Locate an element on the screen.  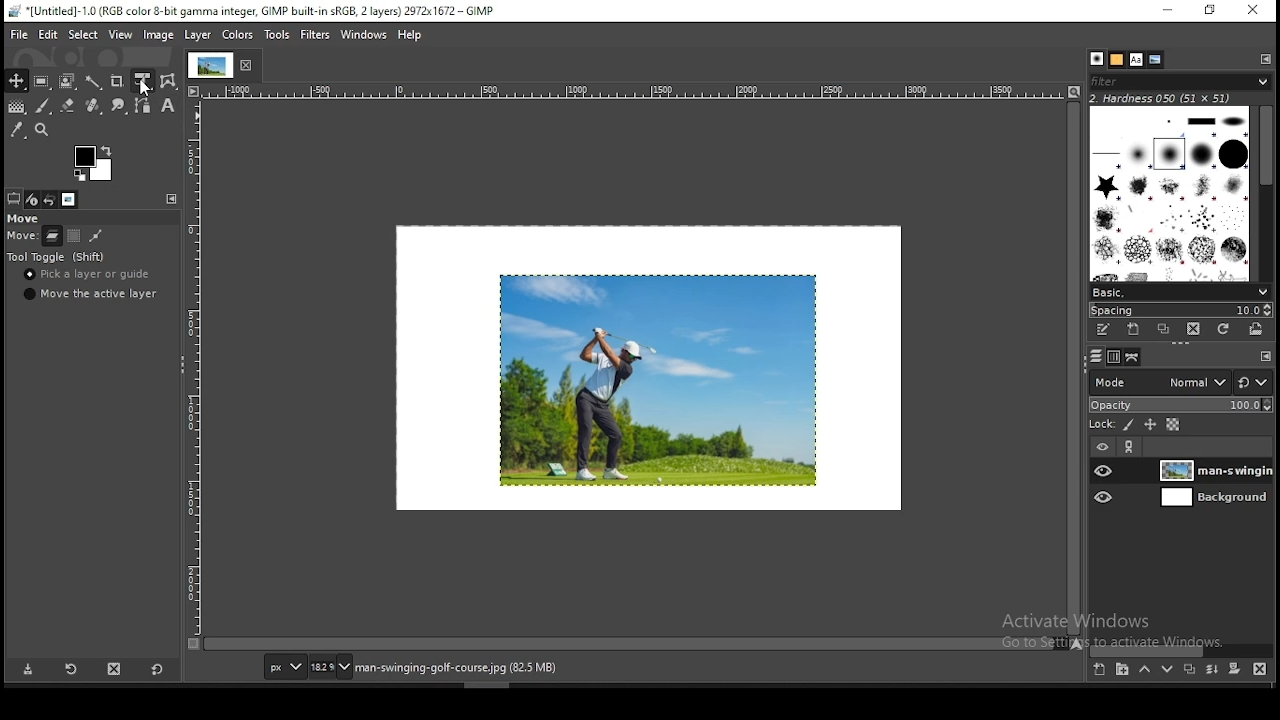
delete tool preset is located at coordinates (116, 668).